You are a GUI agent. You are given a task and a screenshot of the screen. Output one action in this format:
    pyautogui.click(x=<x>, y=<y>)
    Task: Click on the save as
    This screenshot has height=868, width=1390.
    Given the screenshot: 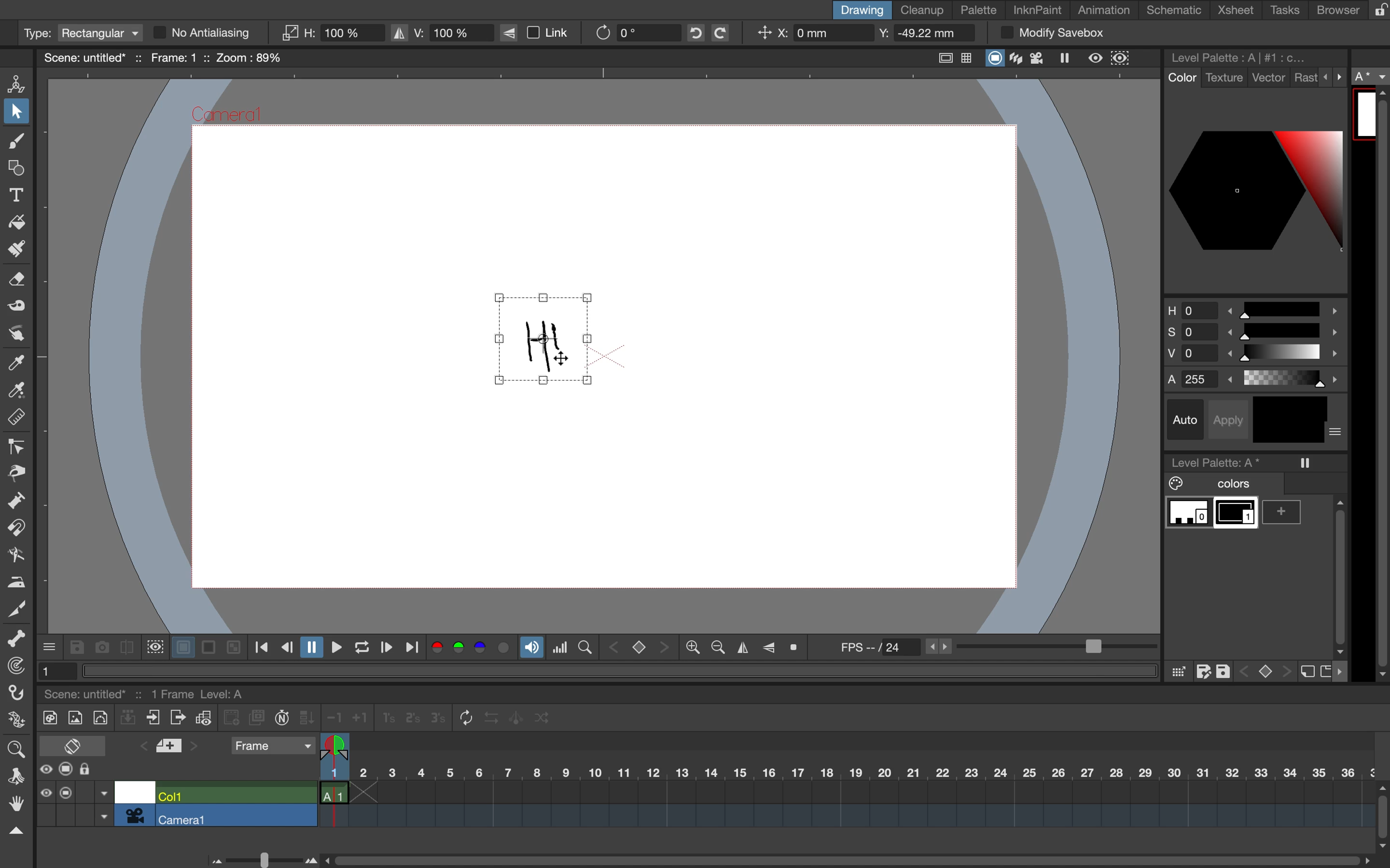 What is the action you would take?
    pyautogui.click(x=1203, y=672)
    